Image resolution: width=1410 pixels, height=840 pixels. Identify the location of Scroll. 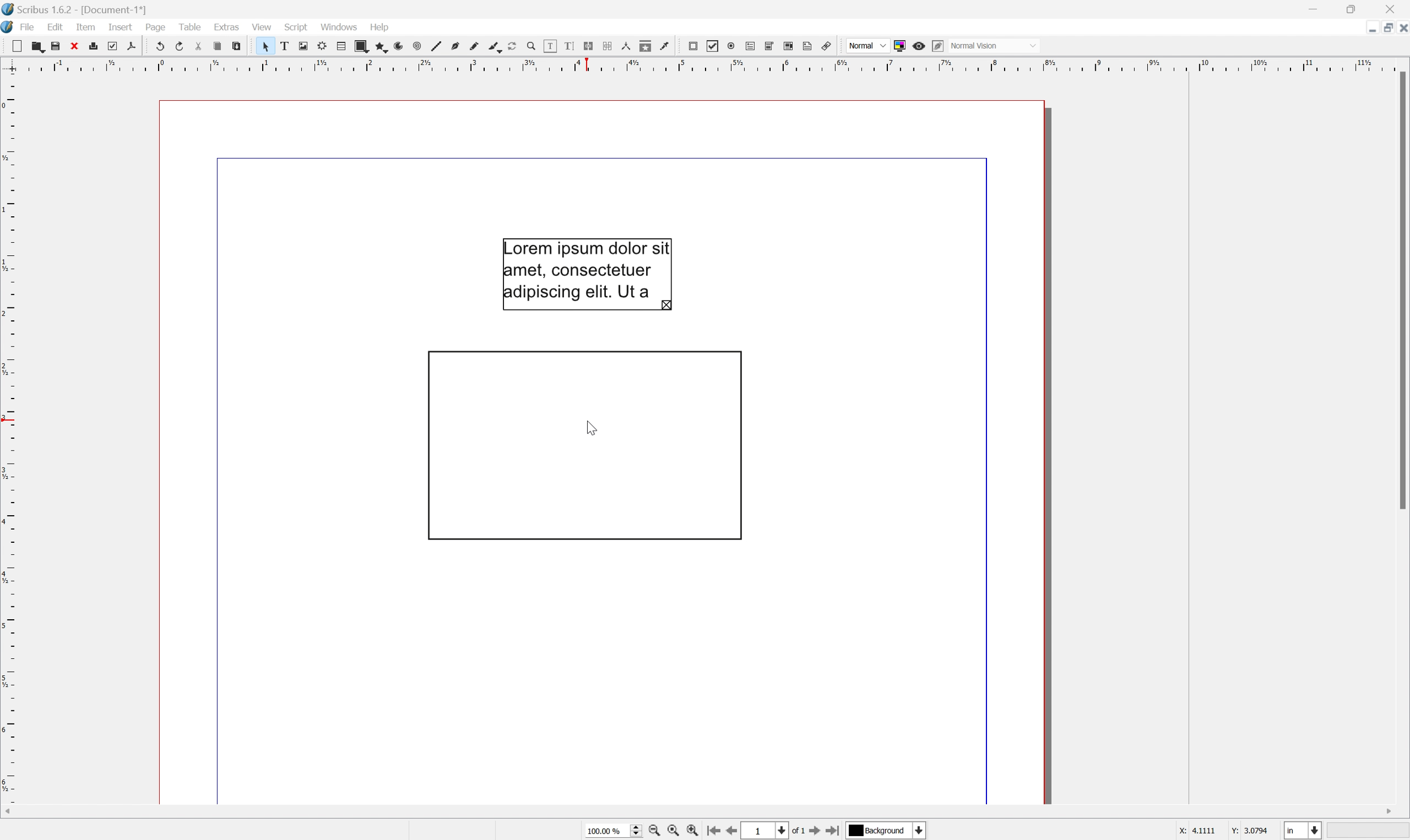
(700, 813).